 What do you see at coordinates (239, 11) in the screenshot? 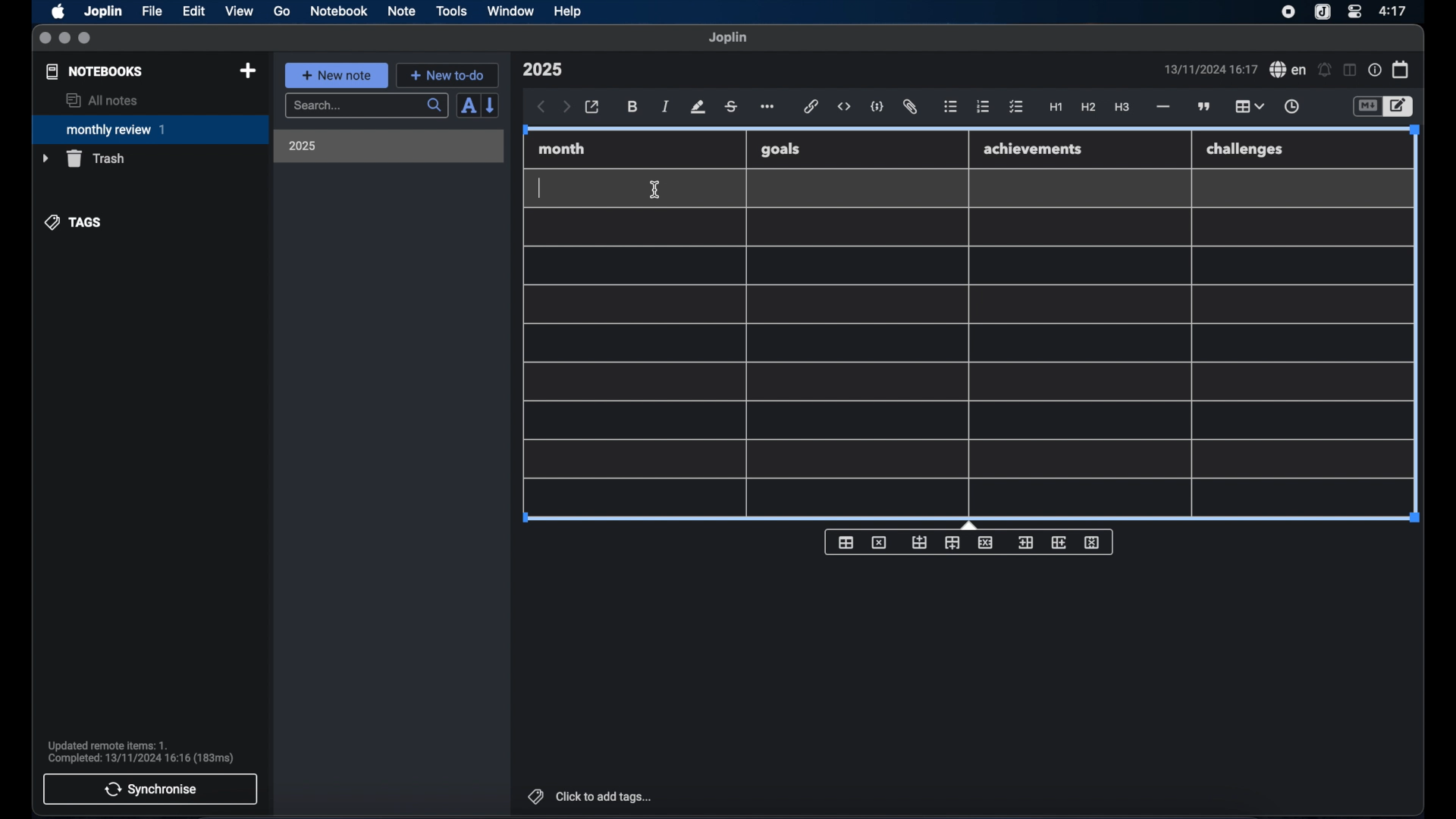
I see `view` at bounding box center [239, 11].